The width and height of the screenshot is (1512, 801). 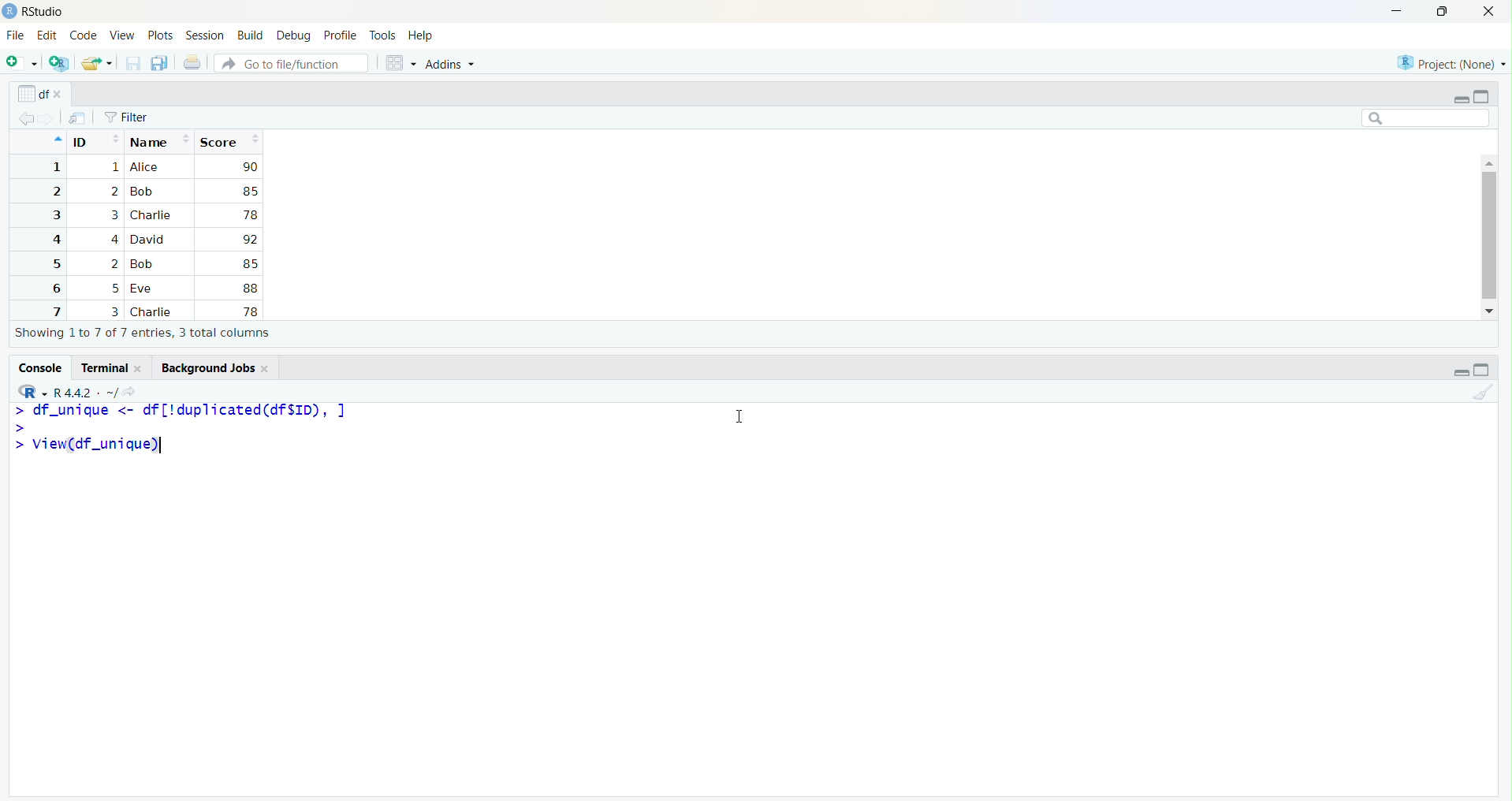 I want to click on scroll down, so click(x=1491, y=311).